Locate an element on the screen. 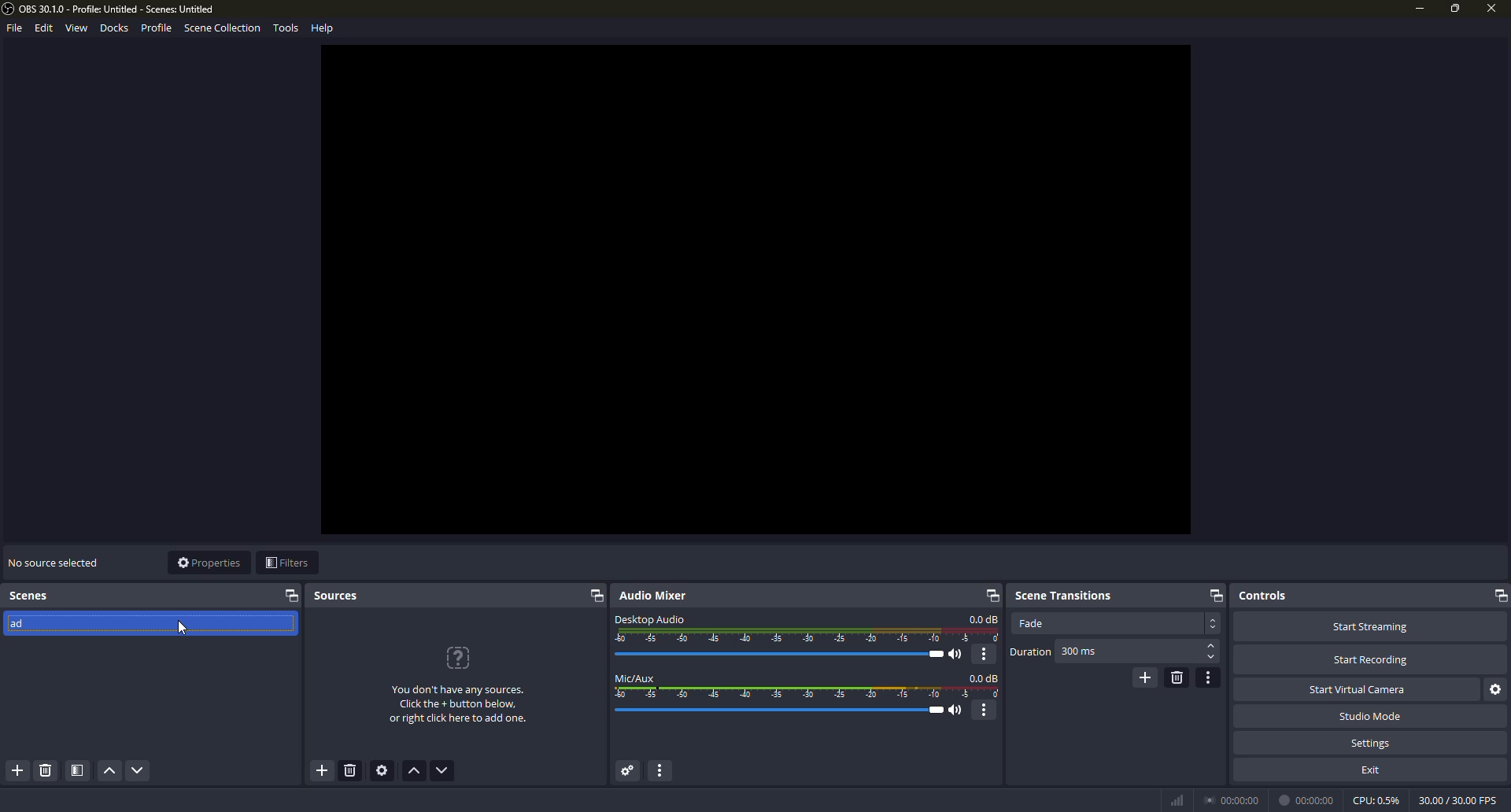  advanced audio properties is located at coordinates (626, 771).